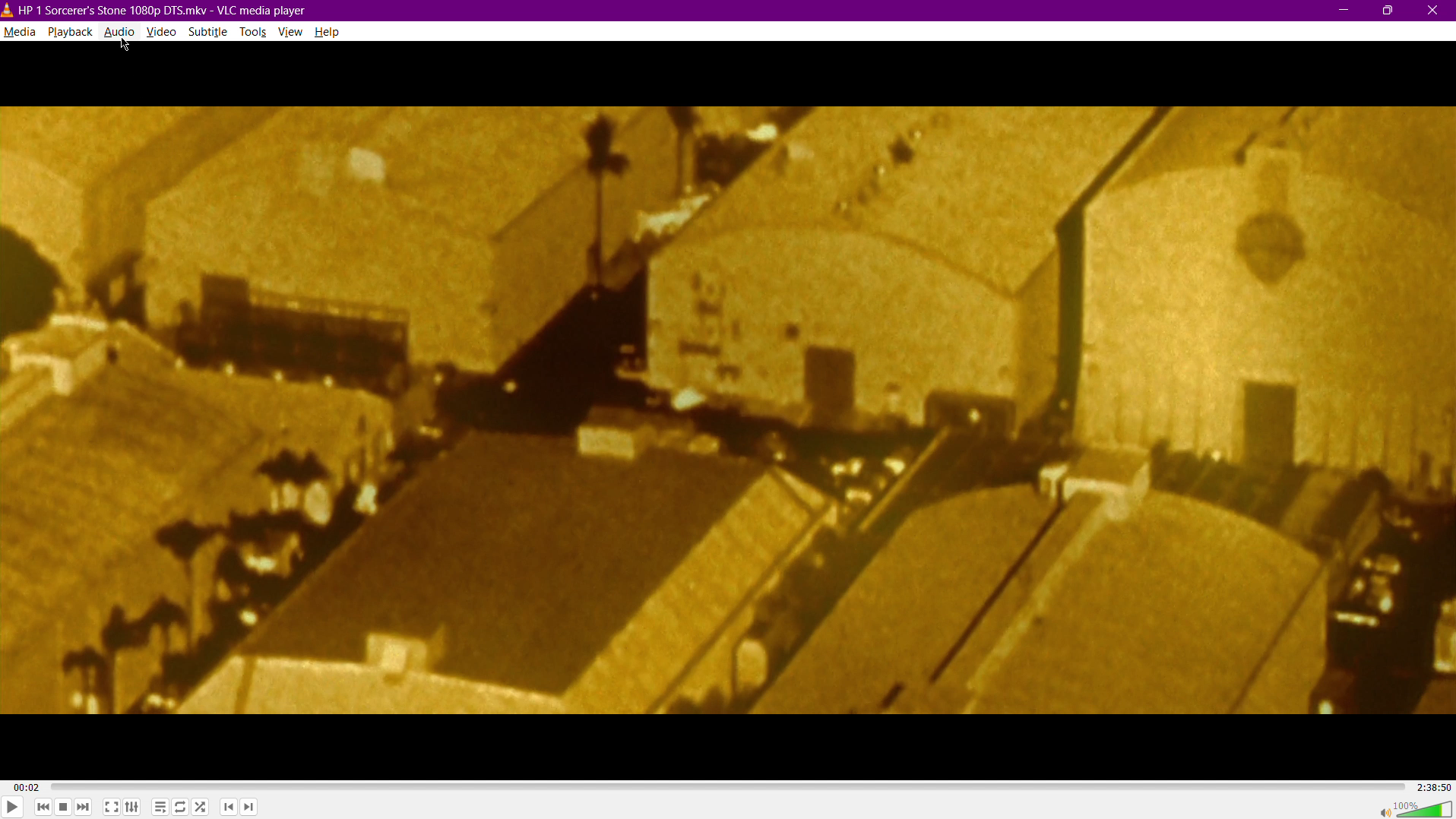 Image resolution: width=1456 pixels, height=819 pixels. I want to click on 00:02, so click(27, 788).